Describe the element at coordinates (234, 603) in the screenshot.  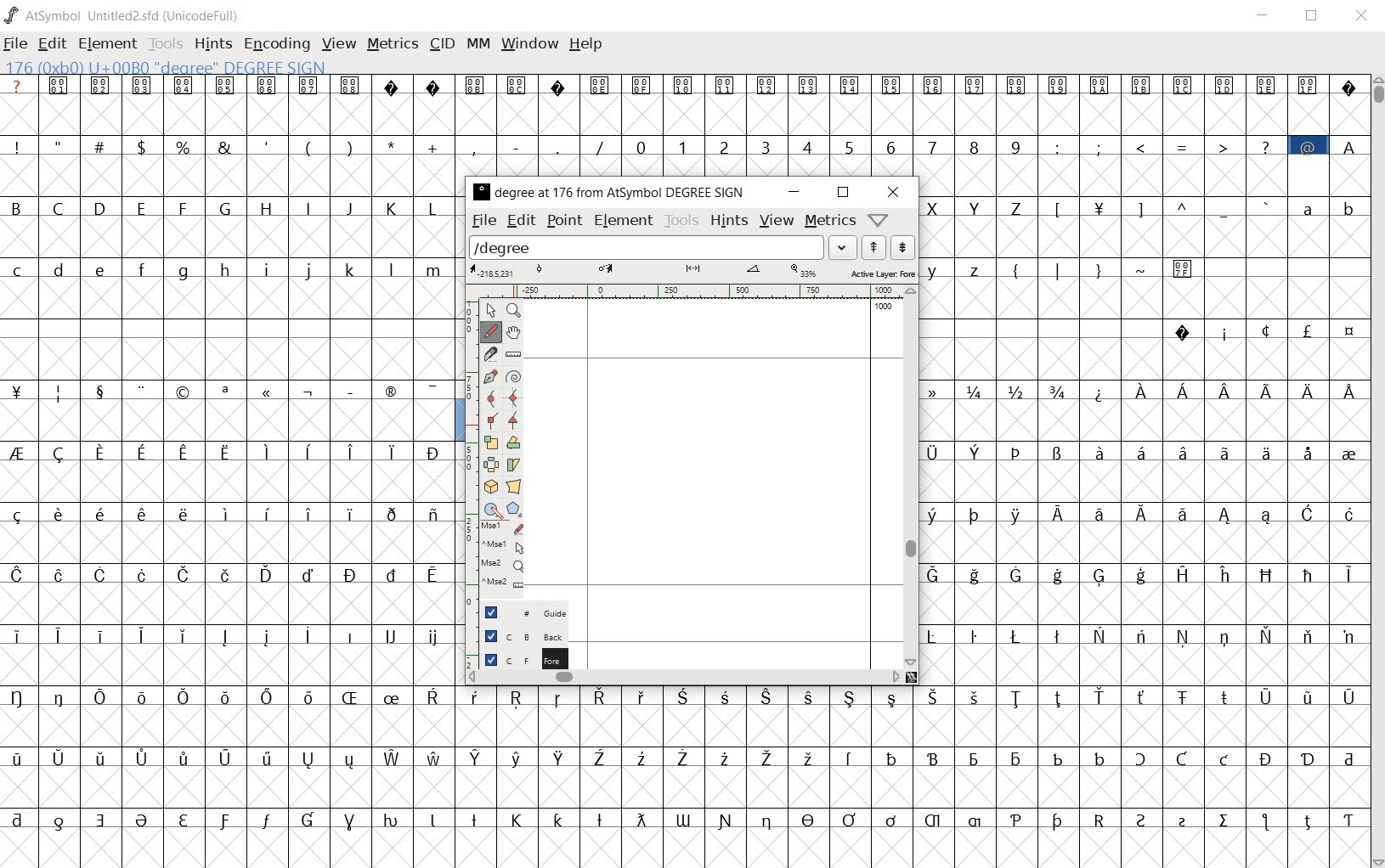
I see `empty glyph slots` at that location.